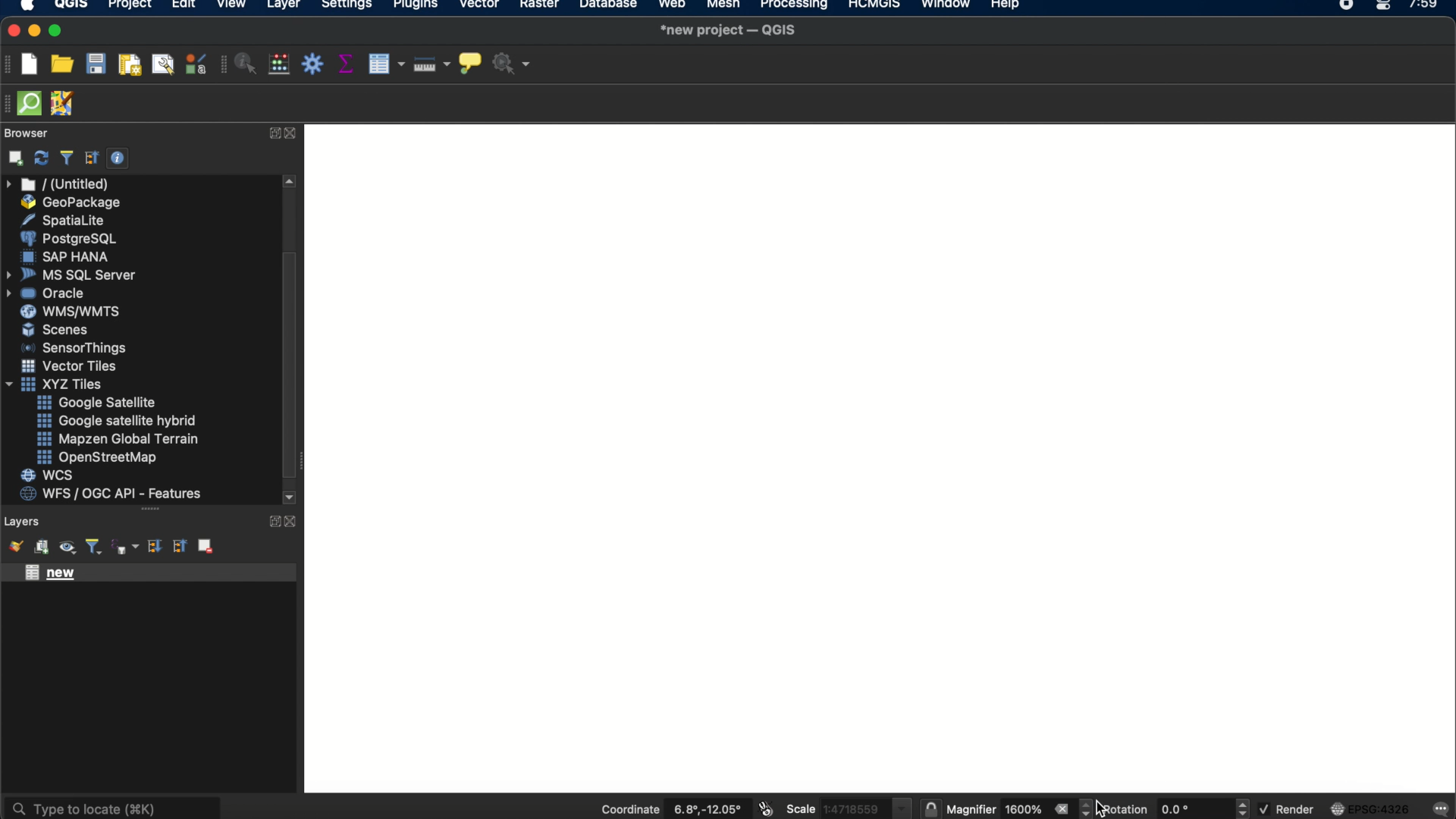  I want to click on Type to locate, so click(113, 808).